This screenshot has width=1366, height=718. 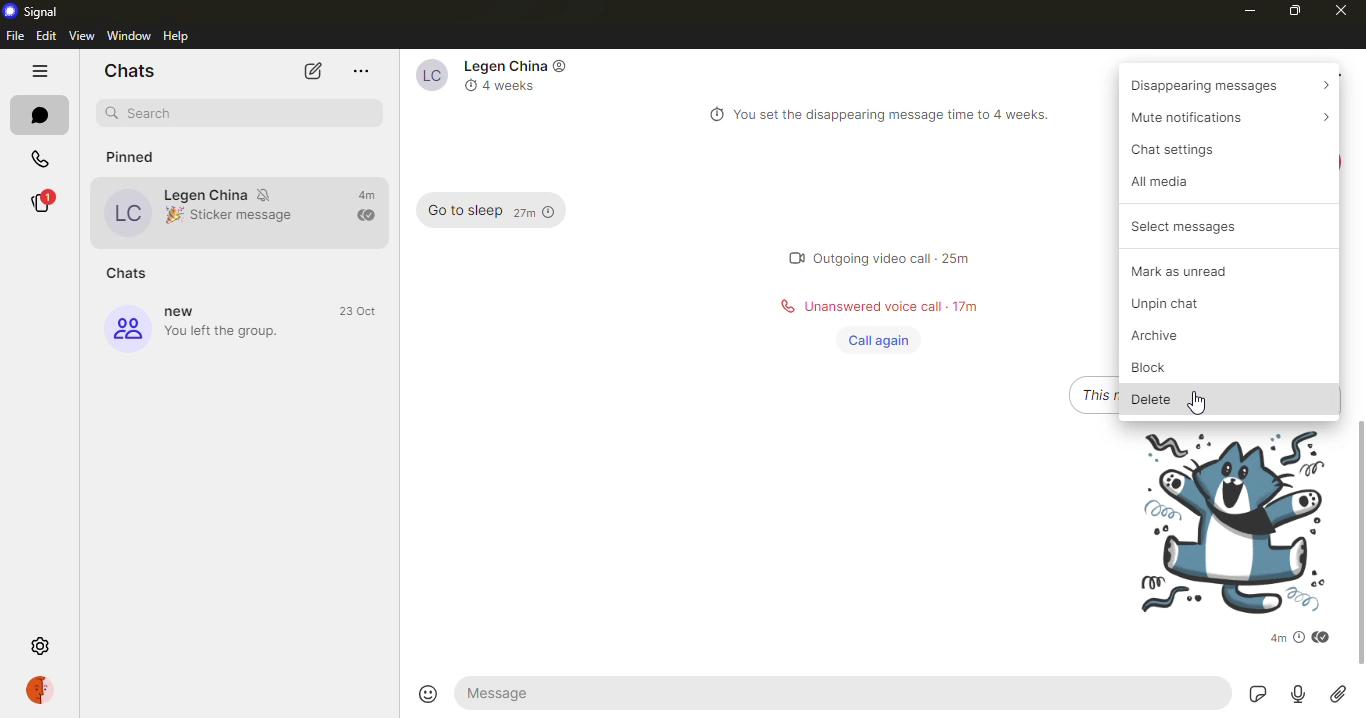 I want to click on 4 weeks, so click(x=516, y=86).